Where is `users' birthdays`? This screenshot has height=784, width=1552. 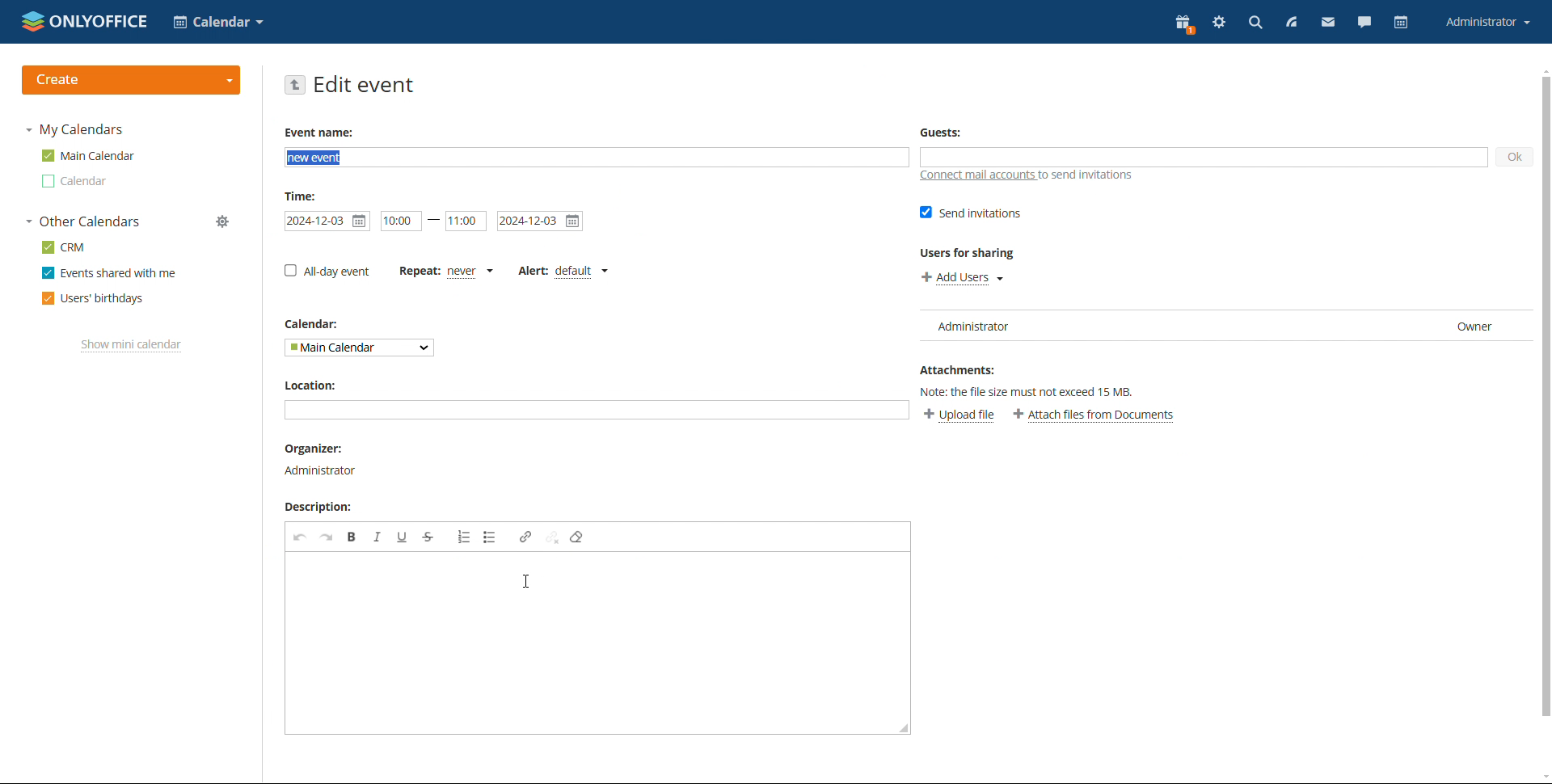 users' birthdays is located at coordinates (93, 299).